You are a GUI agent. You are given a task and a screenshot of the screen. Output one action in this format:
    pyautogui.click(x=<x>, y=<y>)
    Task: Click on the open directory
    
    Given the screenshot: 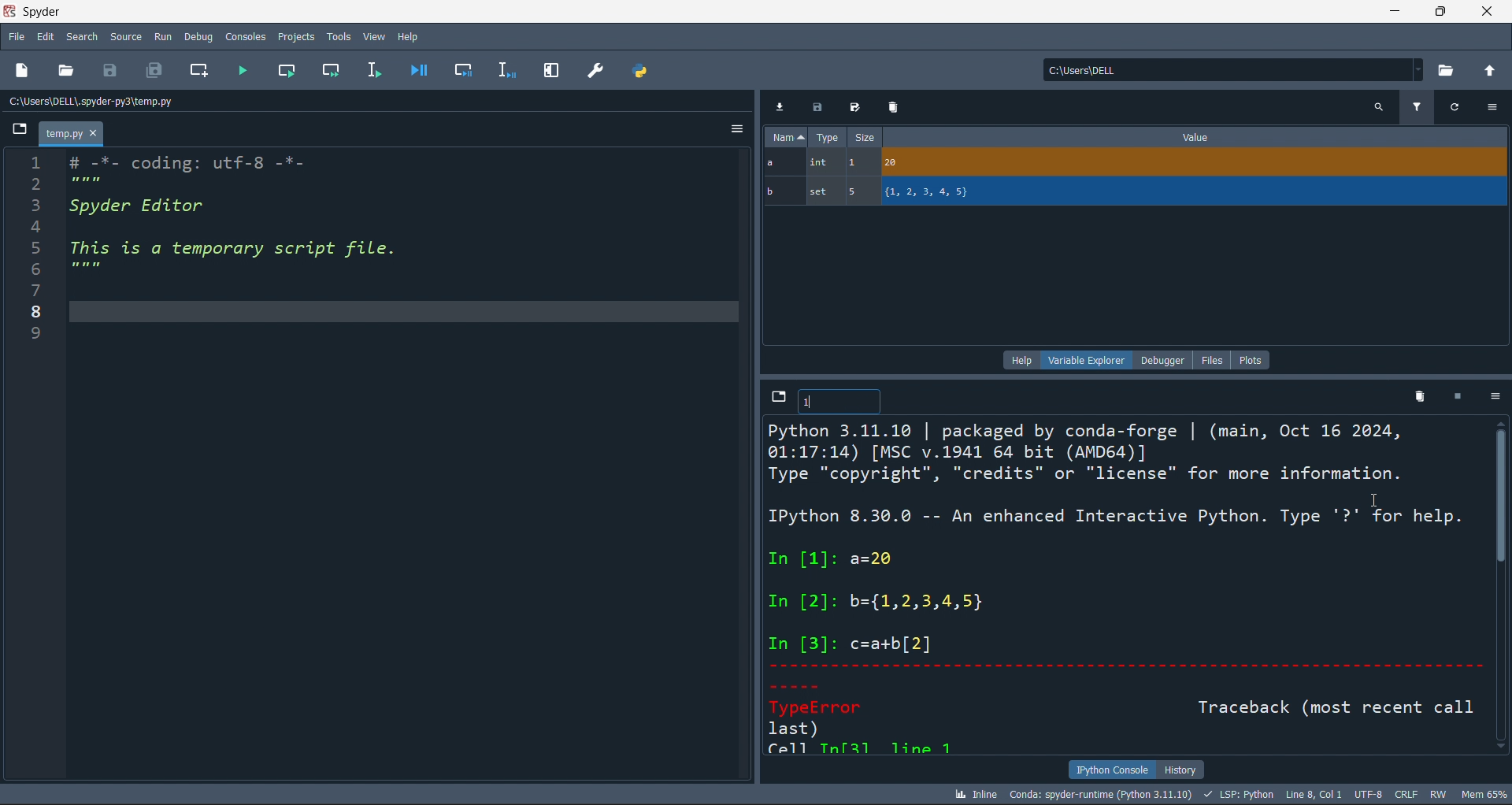 What is the action you would take?
    pyautogui.click(x=1448, y=69)
    